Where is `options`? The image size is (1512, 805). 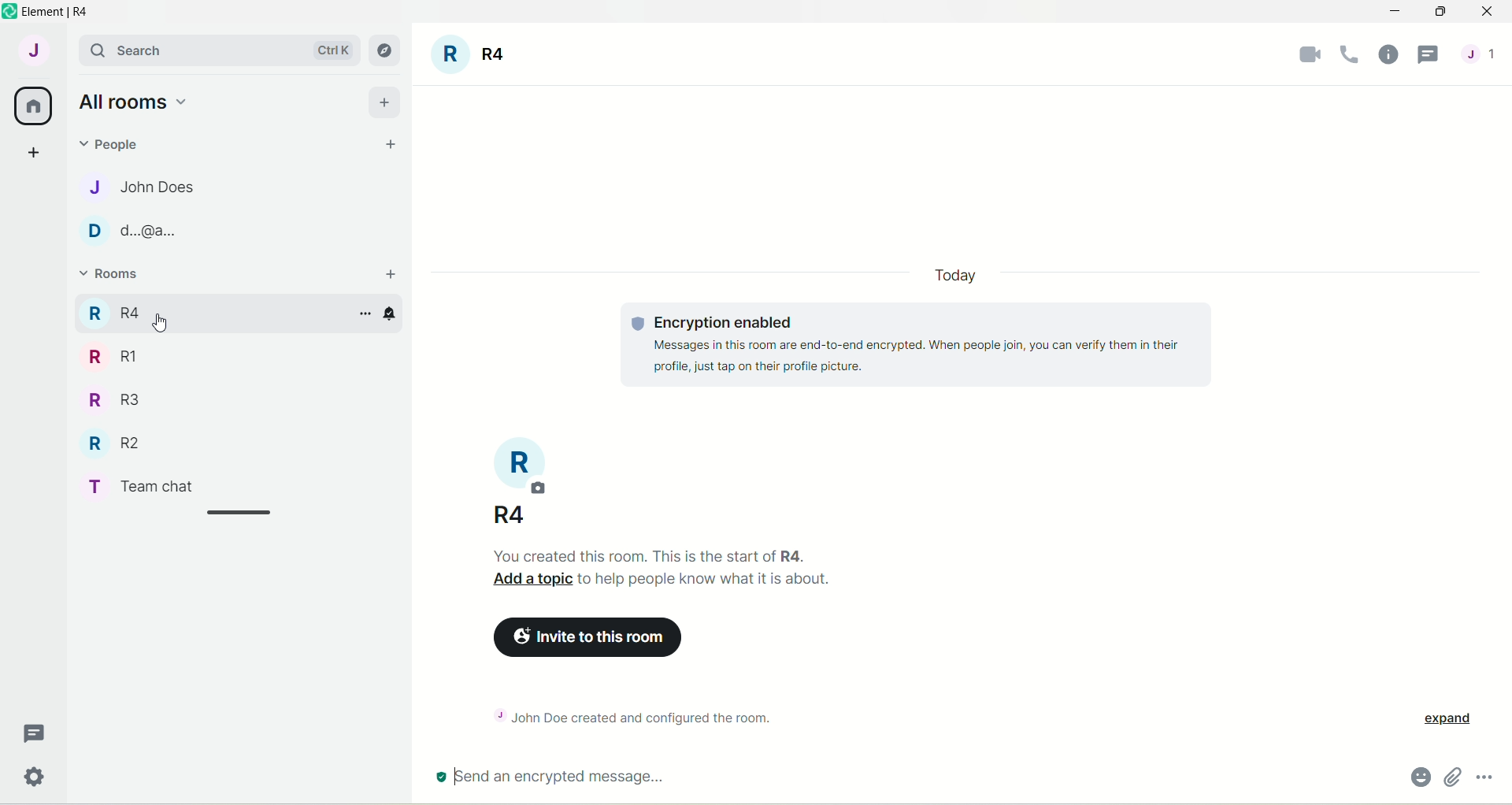 options is located at coordinates (365, 314).